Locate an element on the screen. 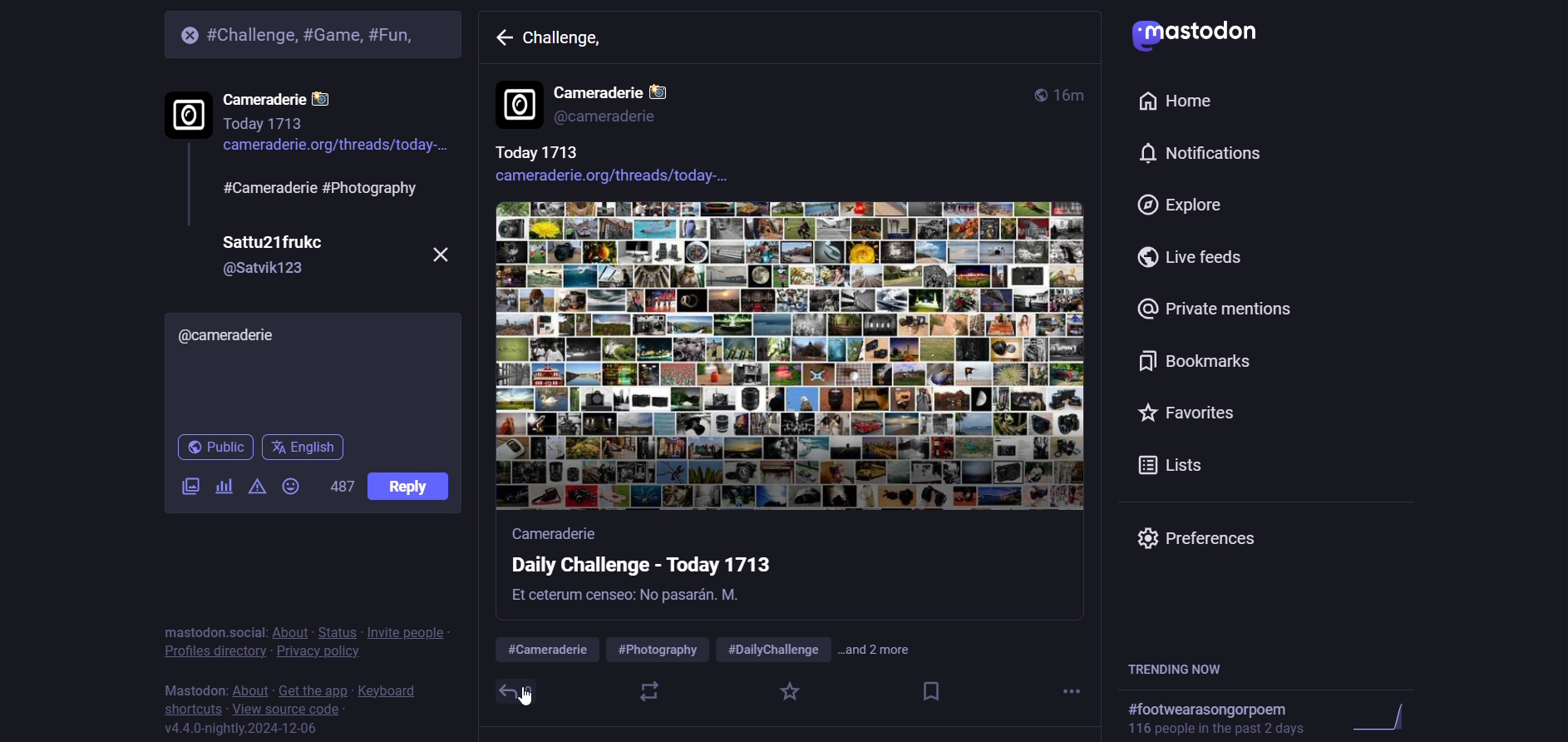  view source code is located at coordinates (290, 708).